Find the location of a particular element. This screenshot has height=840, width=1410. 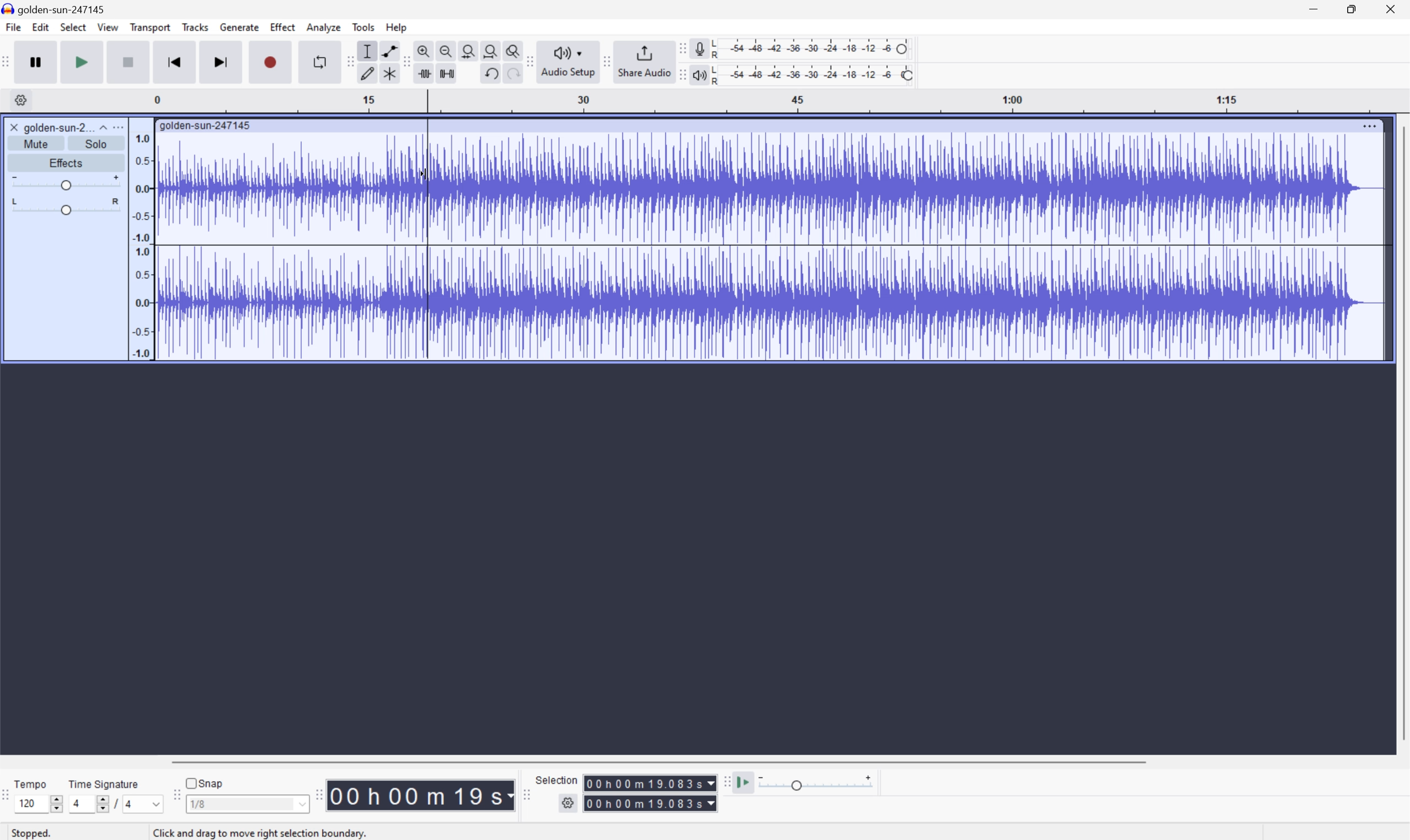

Solo is located at coordinates (98, 144).